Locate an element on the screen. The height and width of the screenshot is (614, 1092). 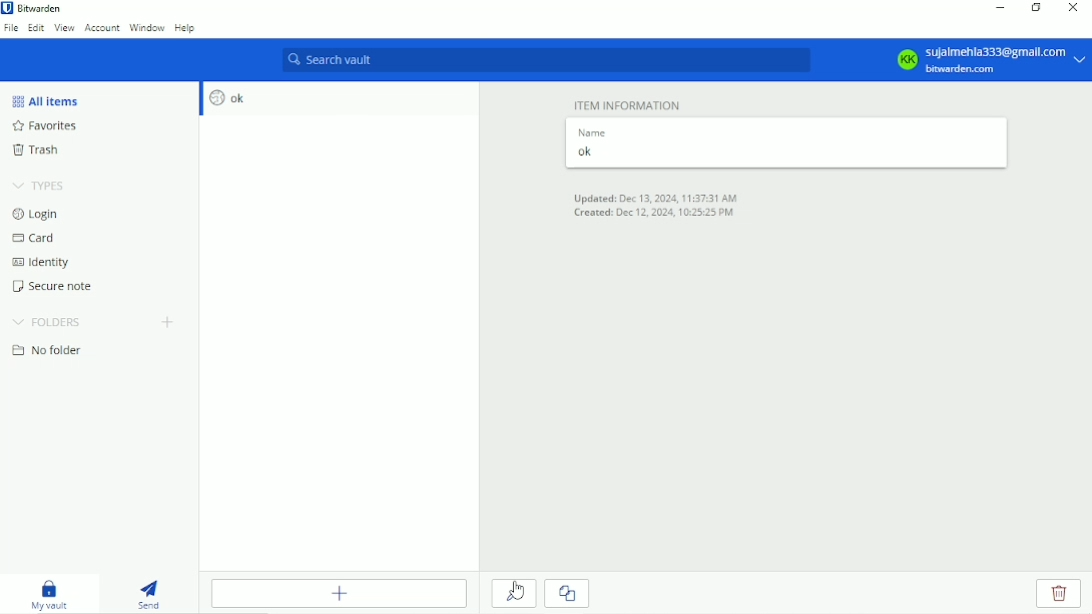
Types is located at coordinates (41, 183).